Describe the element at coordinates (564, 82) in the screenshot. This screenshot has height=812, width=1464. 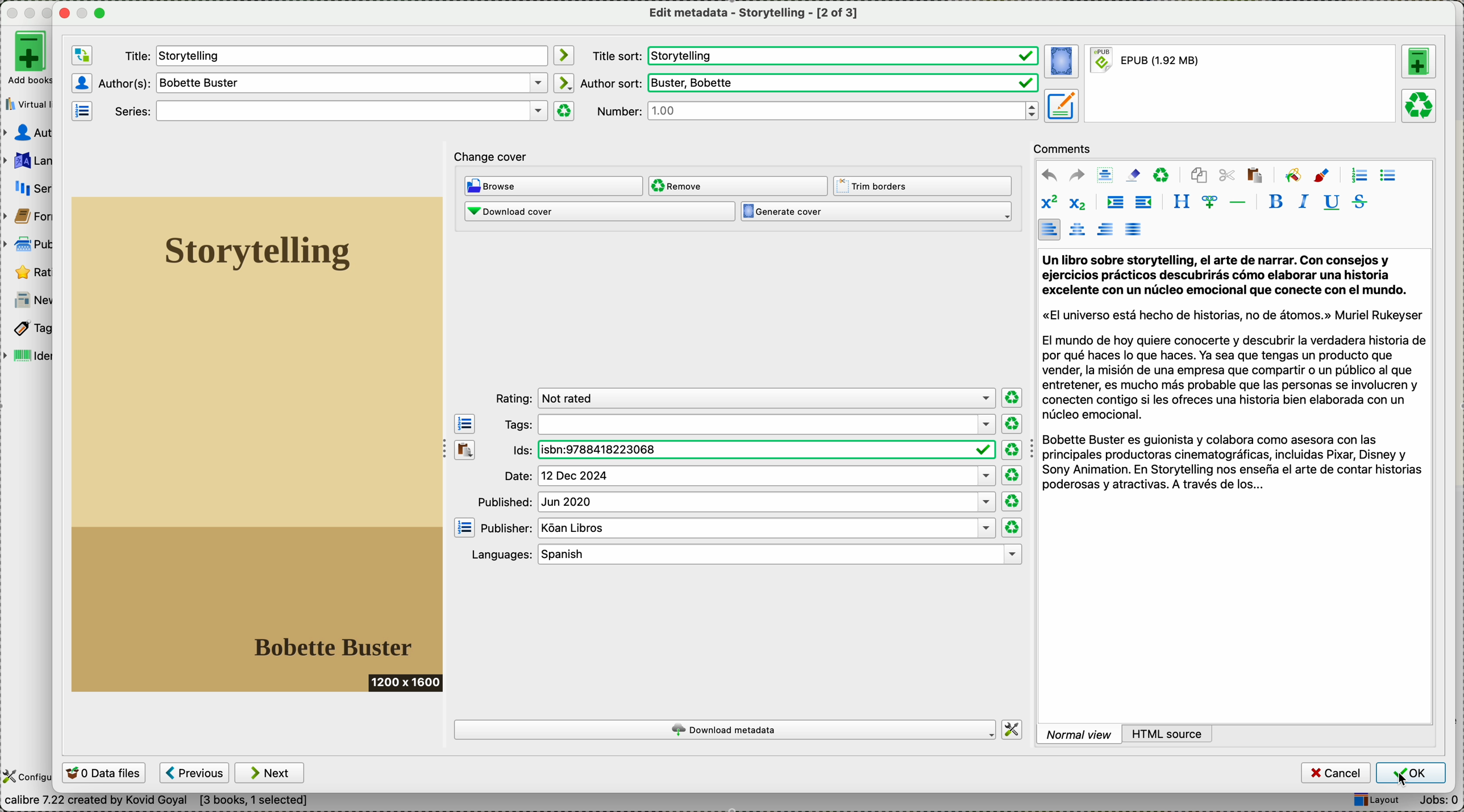
I see `icon` at that location.